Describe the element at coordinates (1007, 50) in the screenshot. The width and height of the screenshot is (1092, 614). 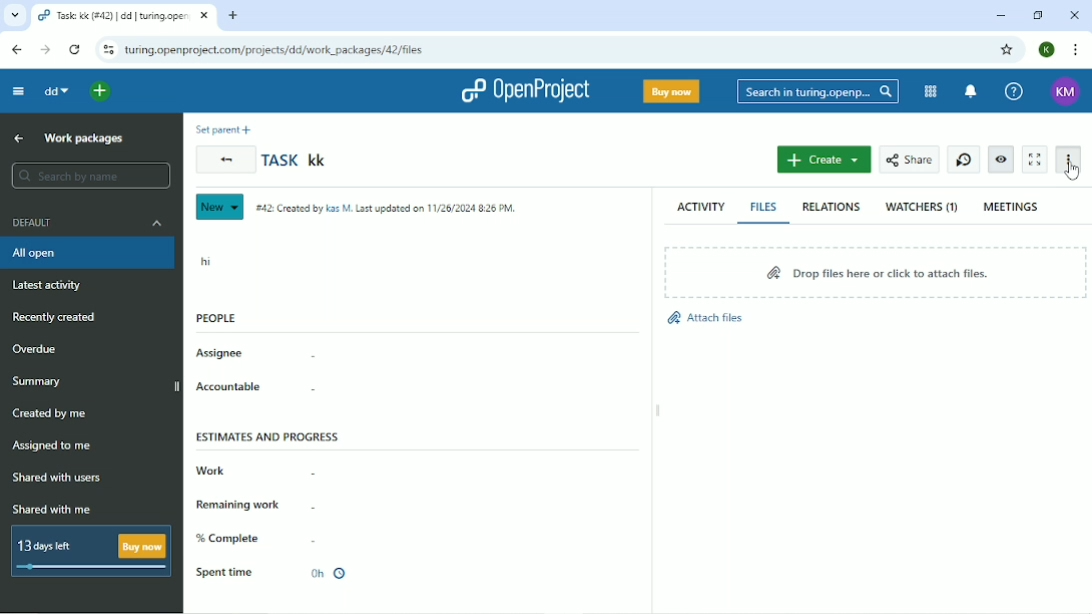
I see `Bookmark this tab` at that location.